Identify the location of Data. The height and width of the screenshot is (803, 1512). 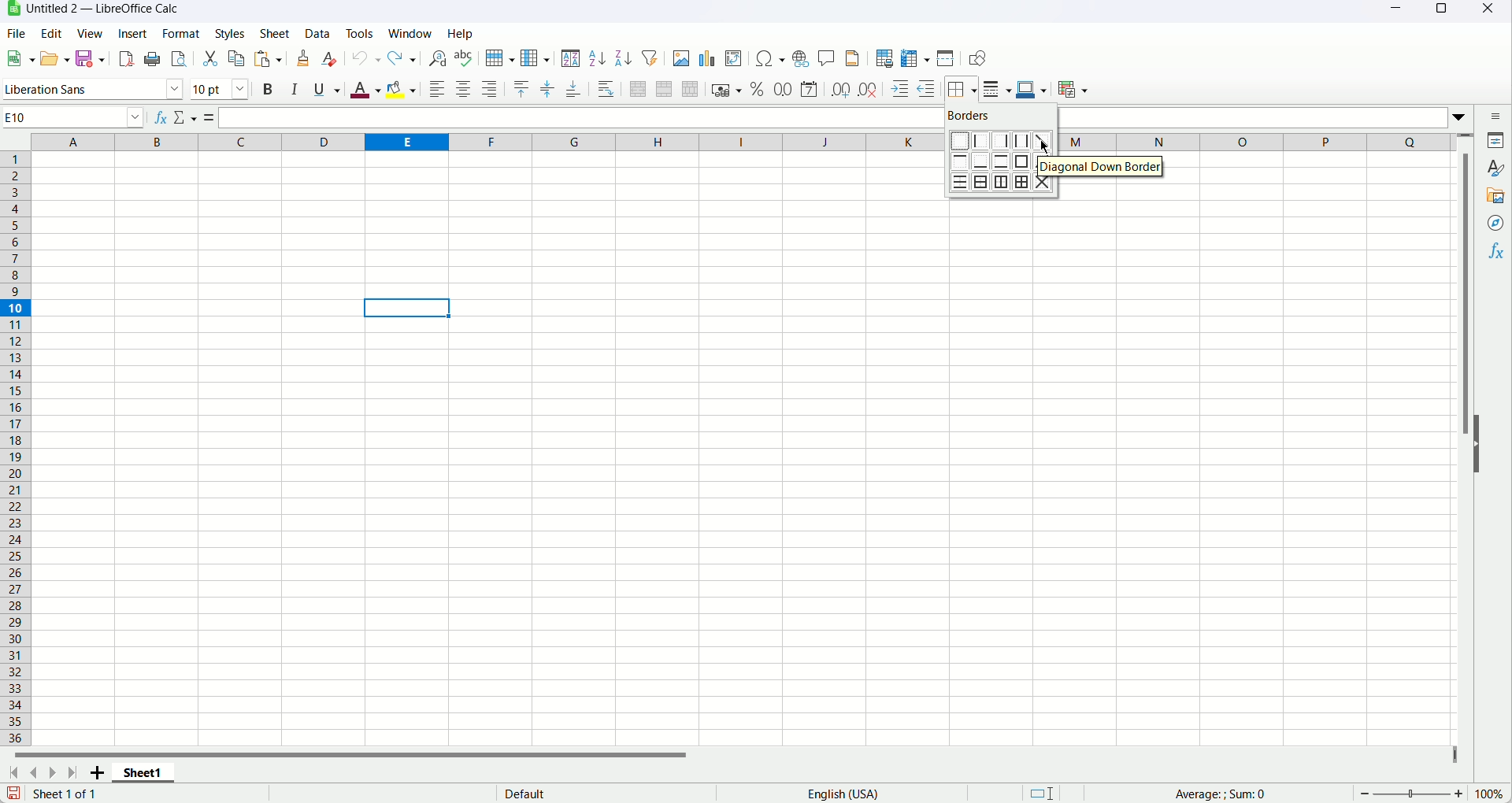
(316, 35).